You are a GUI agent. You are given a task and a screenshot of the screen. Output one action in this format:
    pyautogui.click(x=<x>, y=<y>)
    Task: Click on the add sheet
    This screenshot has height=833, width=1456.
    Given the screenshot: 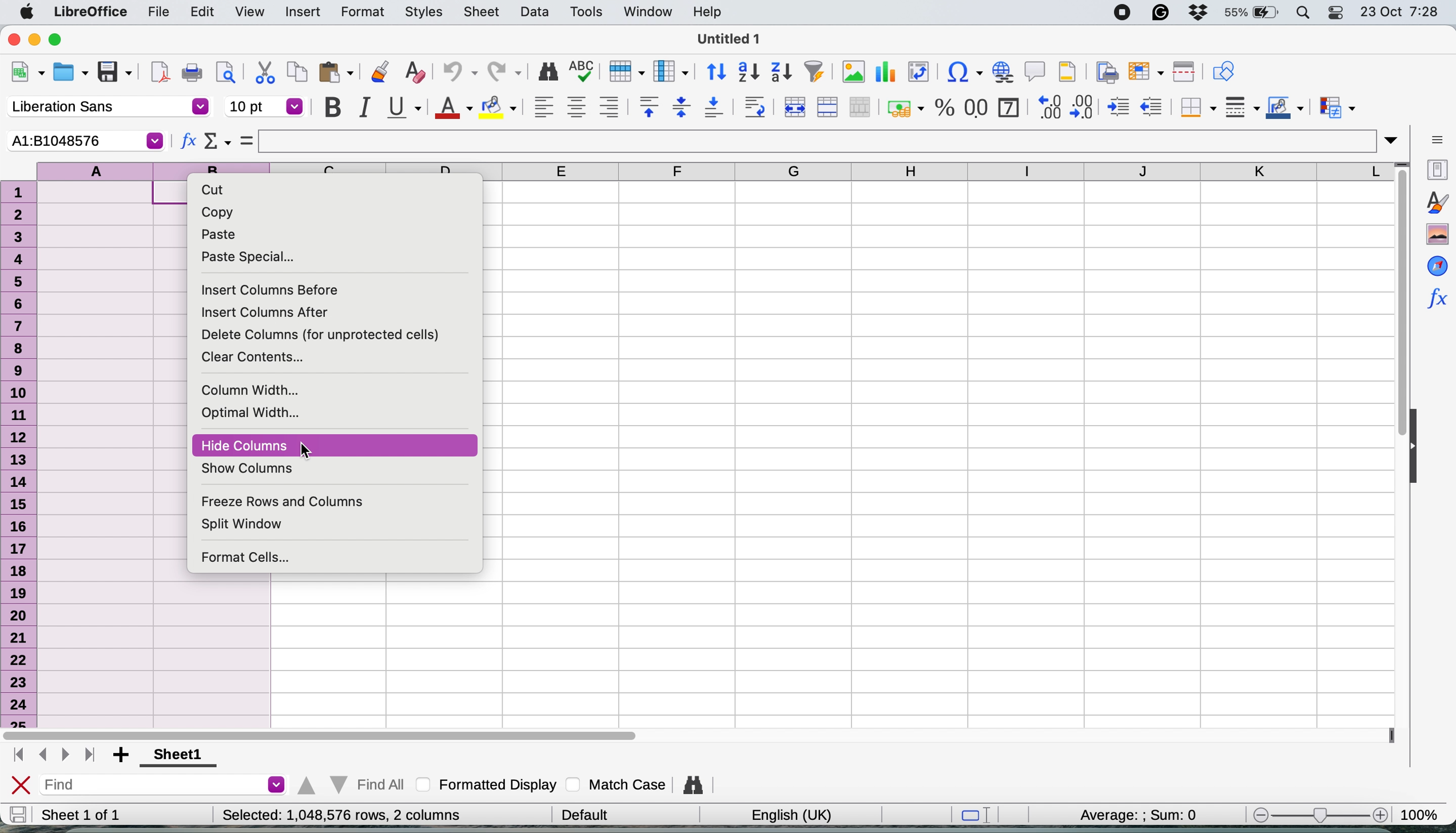 What is the action you would take?
    pyautogui.click(x=121, y=754)
    